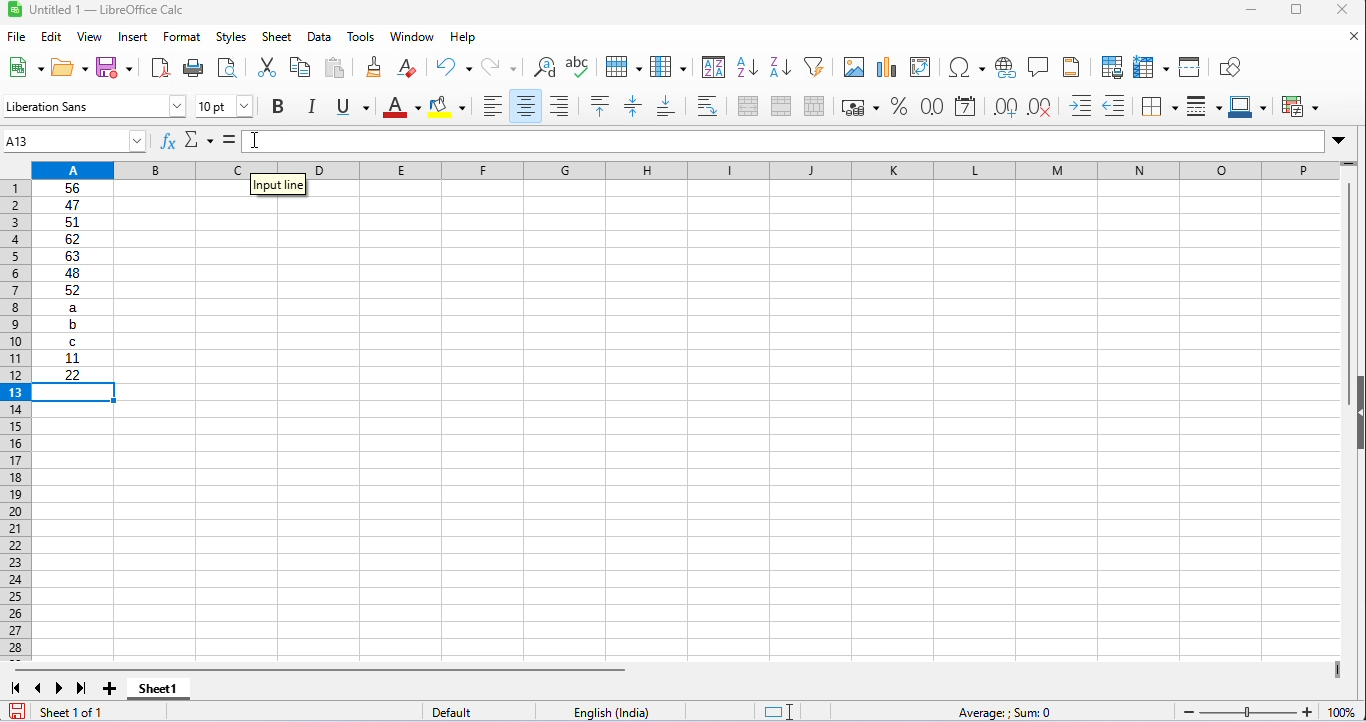  What do you see at coordinates (23, 66) in the screenshot?
I see `new` at bounding box center [23, 66].